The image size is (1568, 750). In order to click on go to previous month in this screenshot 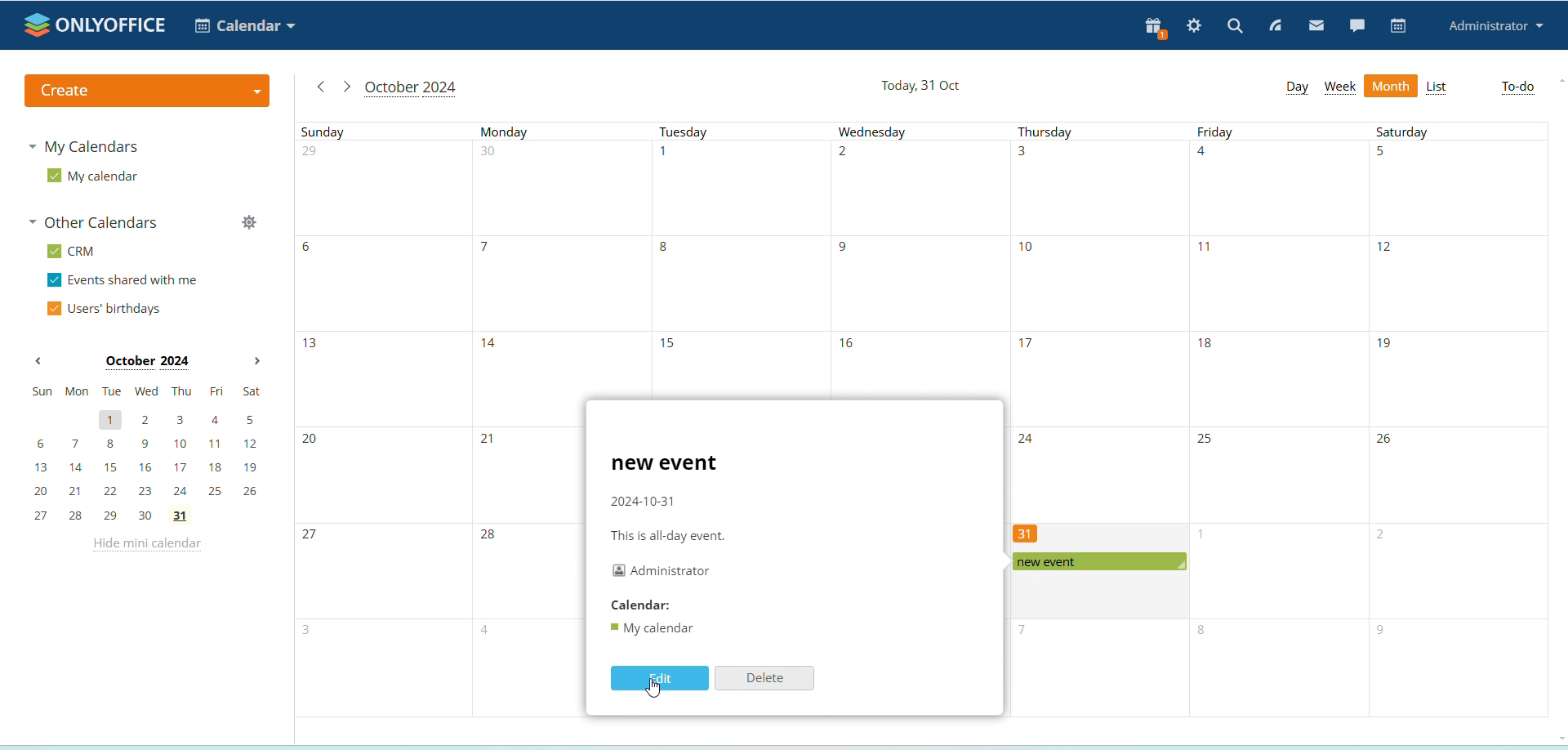, I will do `click(321, 87)`.